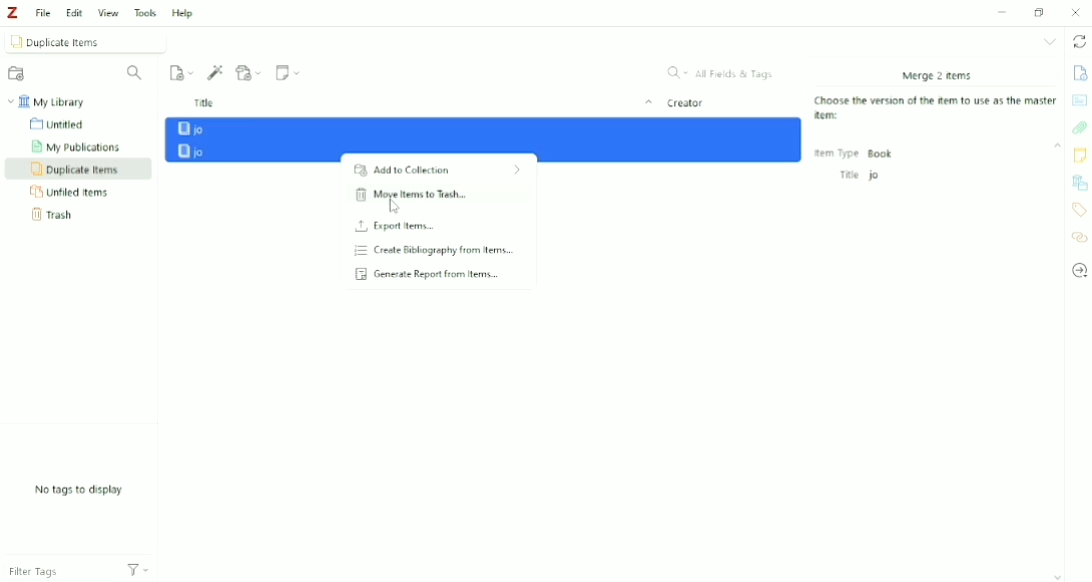  Describe the element at coordinates (1042, 12) in the screenshot. I see `Maximize` at that location.